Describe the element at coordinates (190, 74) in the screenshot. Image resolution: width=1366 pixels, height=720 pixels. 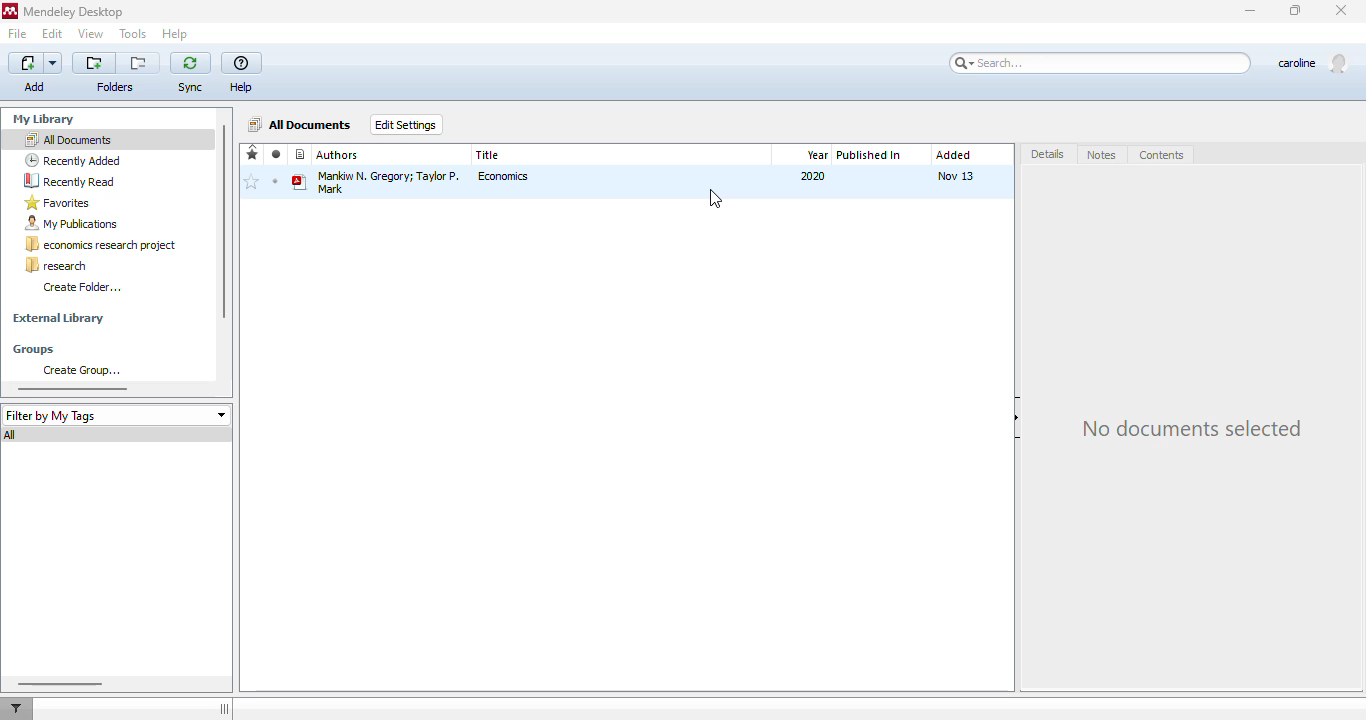
I see `sync` at that location.